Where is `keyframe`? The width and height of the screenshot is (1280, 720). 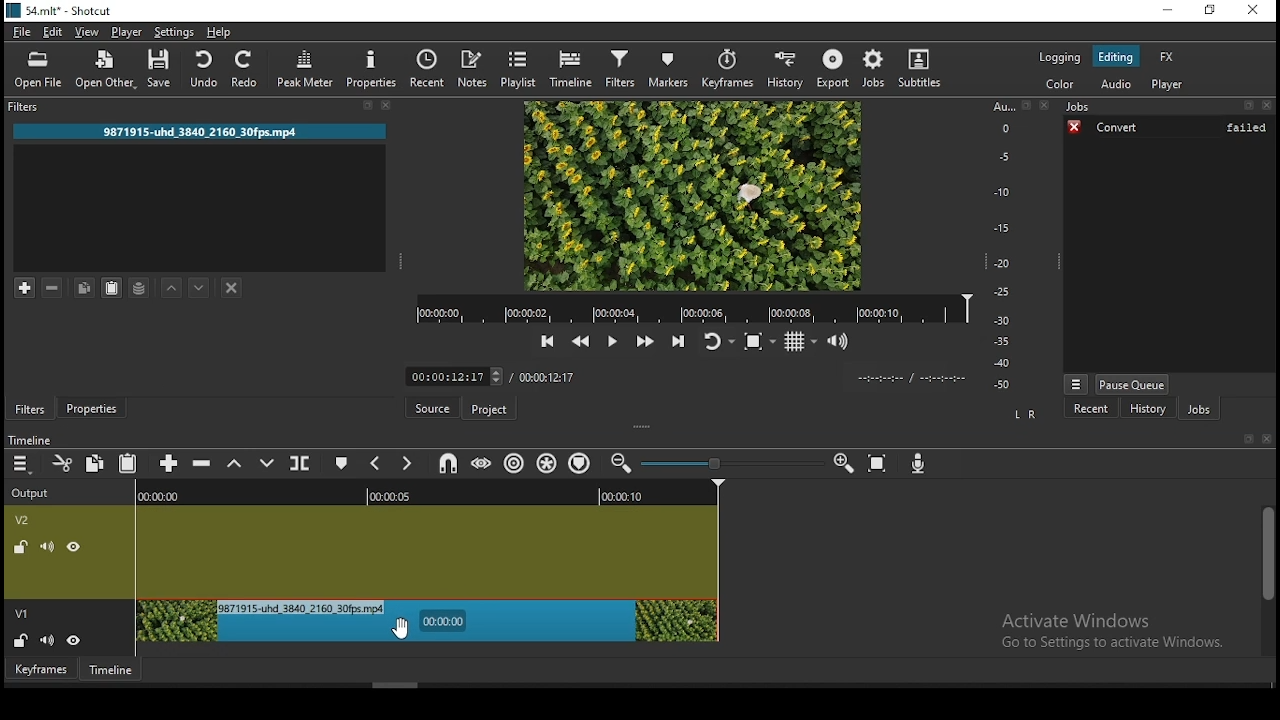 keyframe is located at coordinates (42, 670).